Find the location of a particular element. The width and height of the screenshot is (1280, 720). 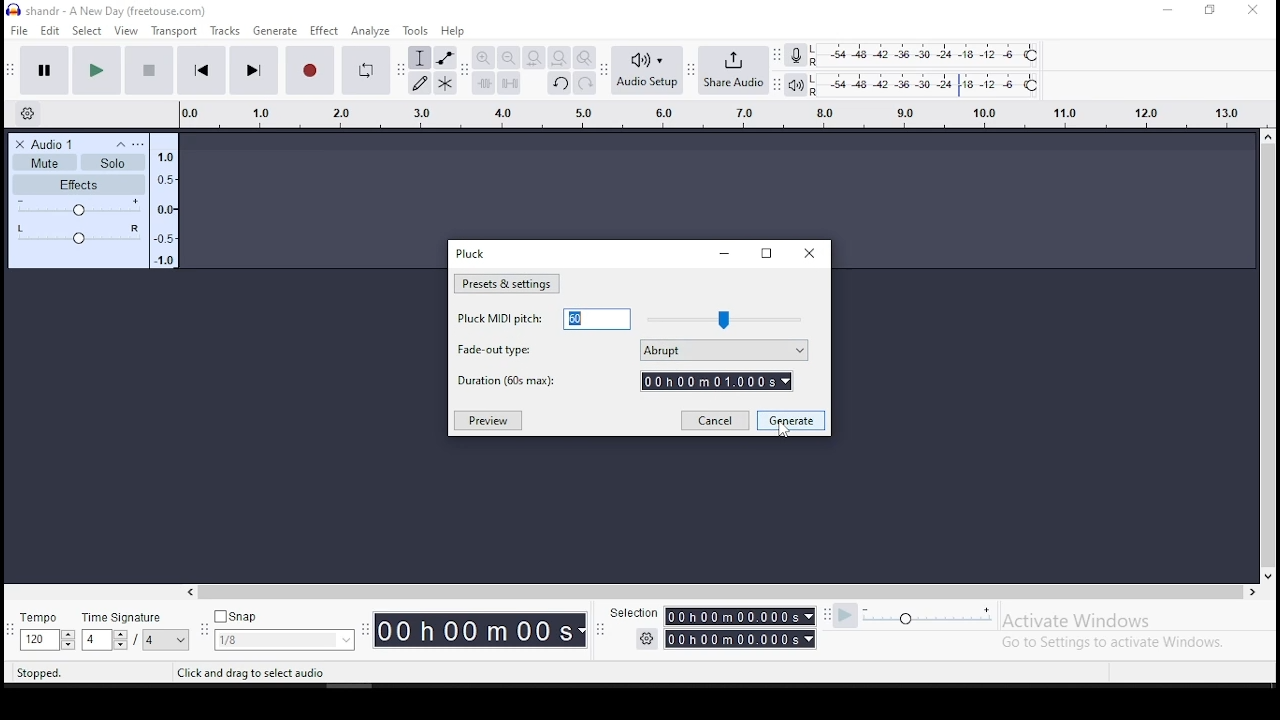

share audio is located at coordinates (733, 69).